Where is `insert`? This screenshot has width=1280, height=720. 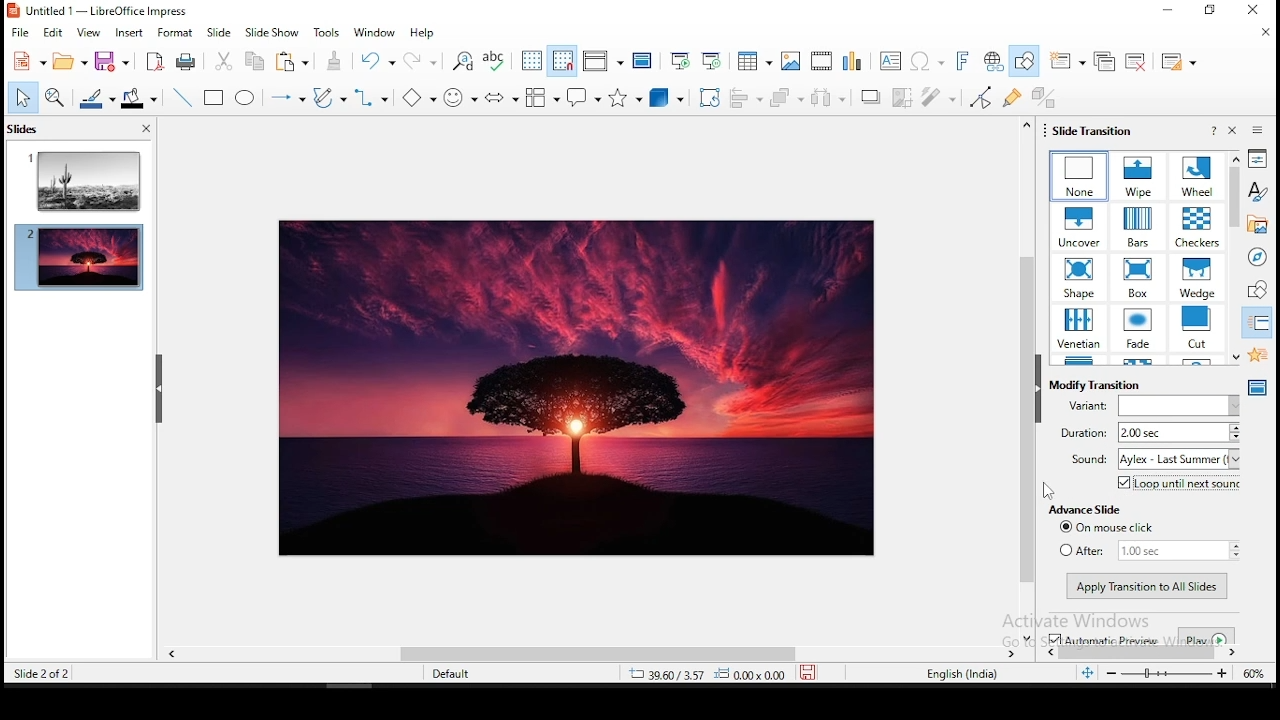
insert is located at coordinates (128, 31).